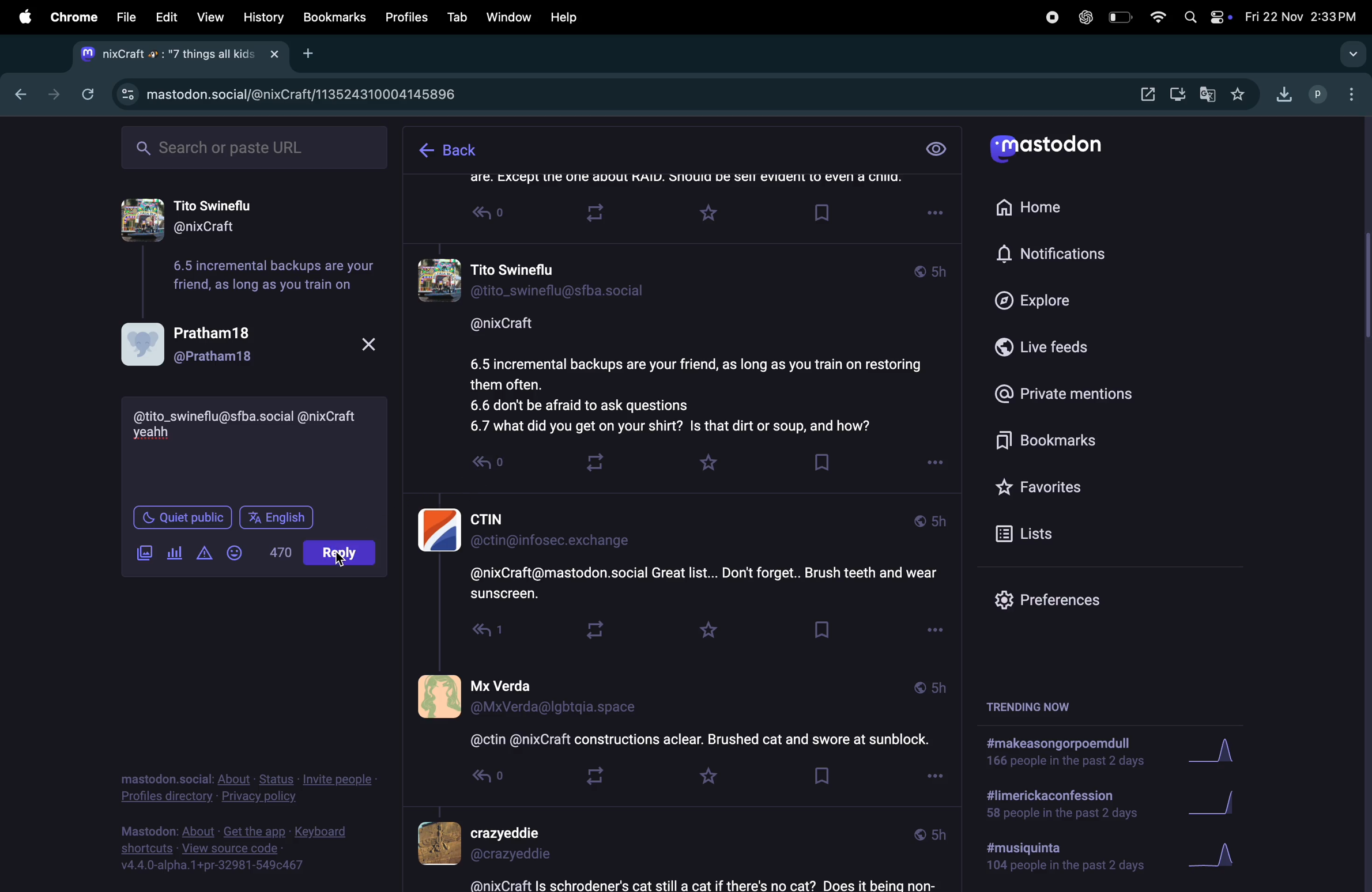 The height and width of the screenshot is (892, 1372). What do you see at coordinates (72, 17) in the screenshot?
I see `chrome` at bounding box center [72, 17].